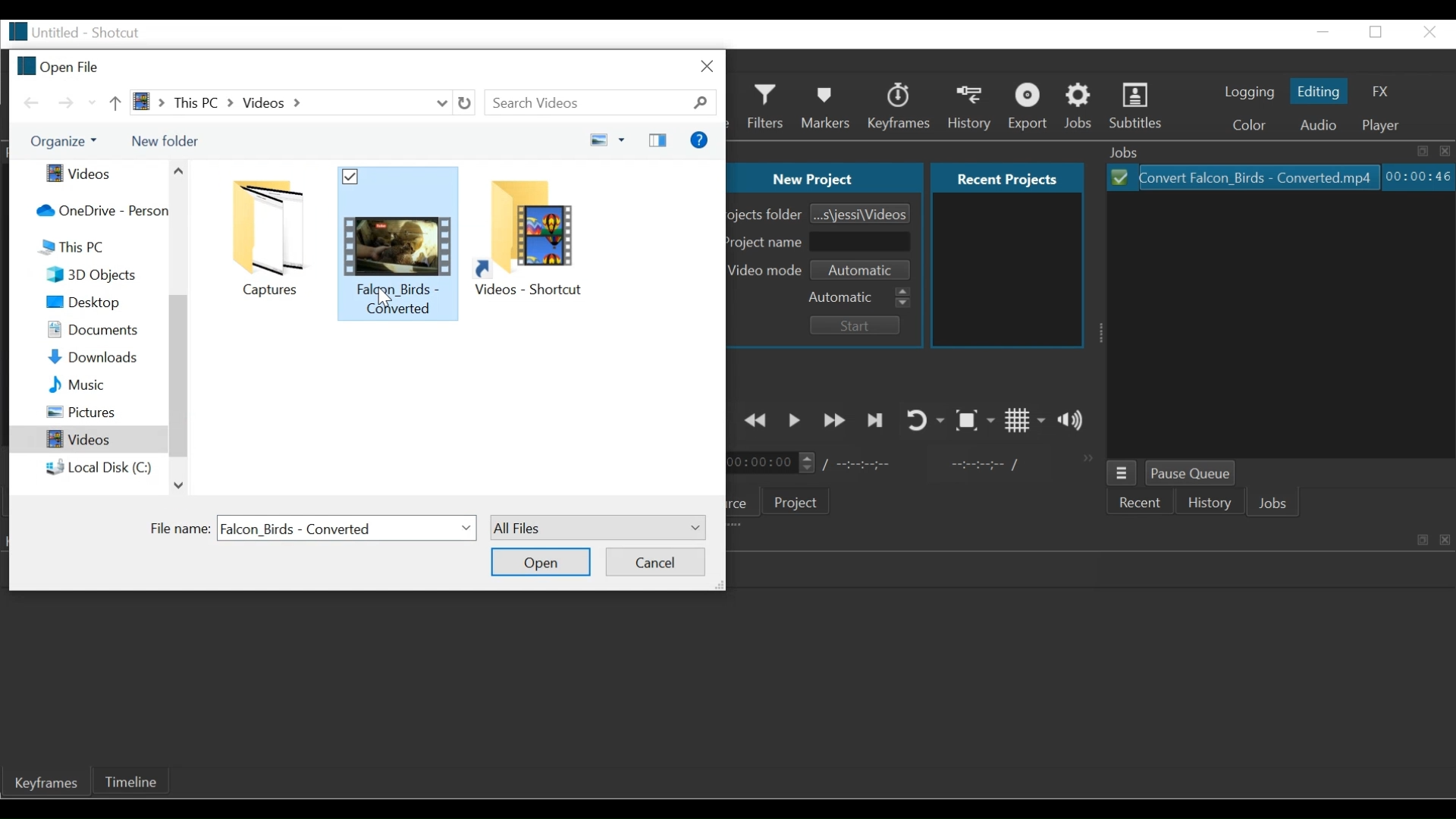 The width and height of the screenshot is (1456, 819). What do you see at coordinates (861, 466) in the screenshot?
I see `Total Duration` at bounding box center [861, 466].